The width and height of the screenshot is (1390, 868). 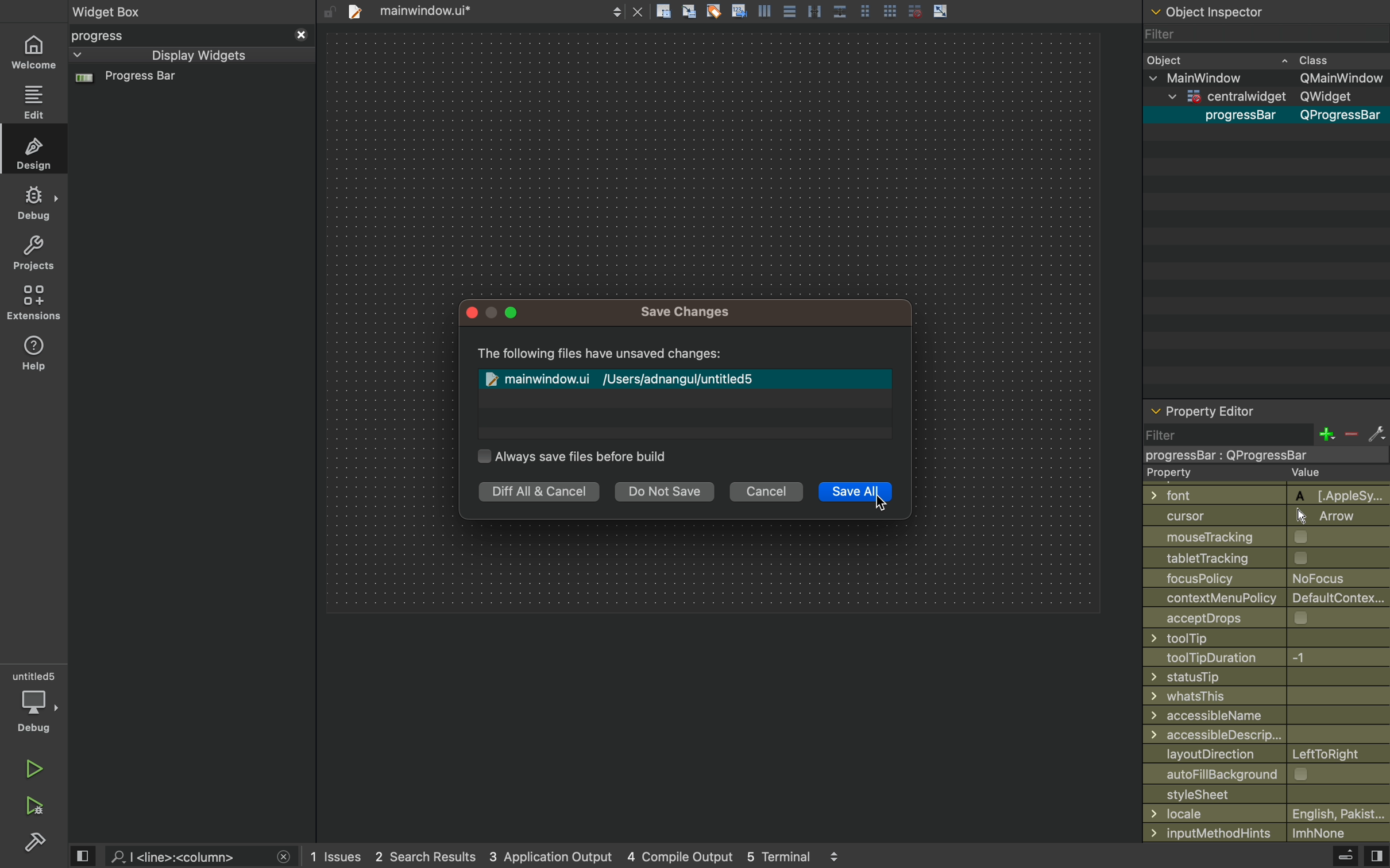 I want to click on cursor, so click(x=882, y=499).